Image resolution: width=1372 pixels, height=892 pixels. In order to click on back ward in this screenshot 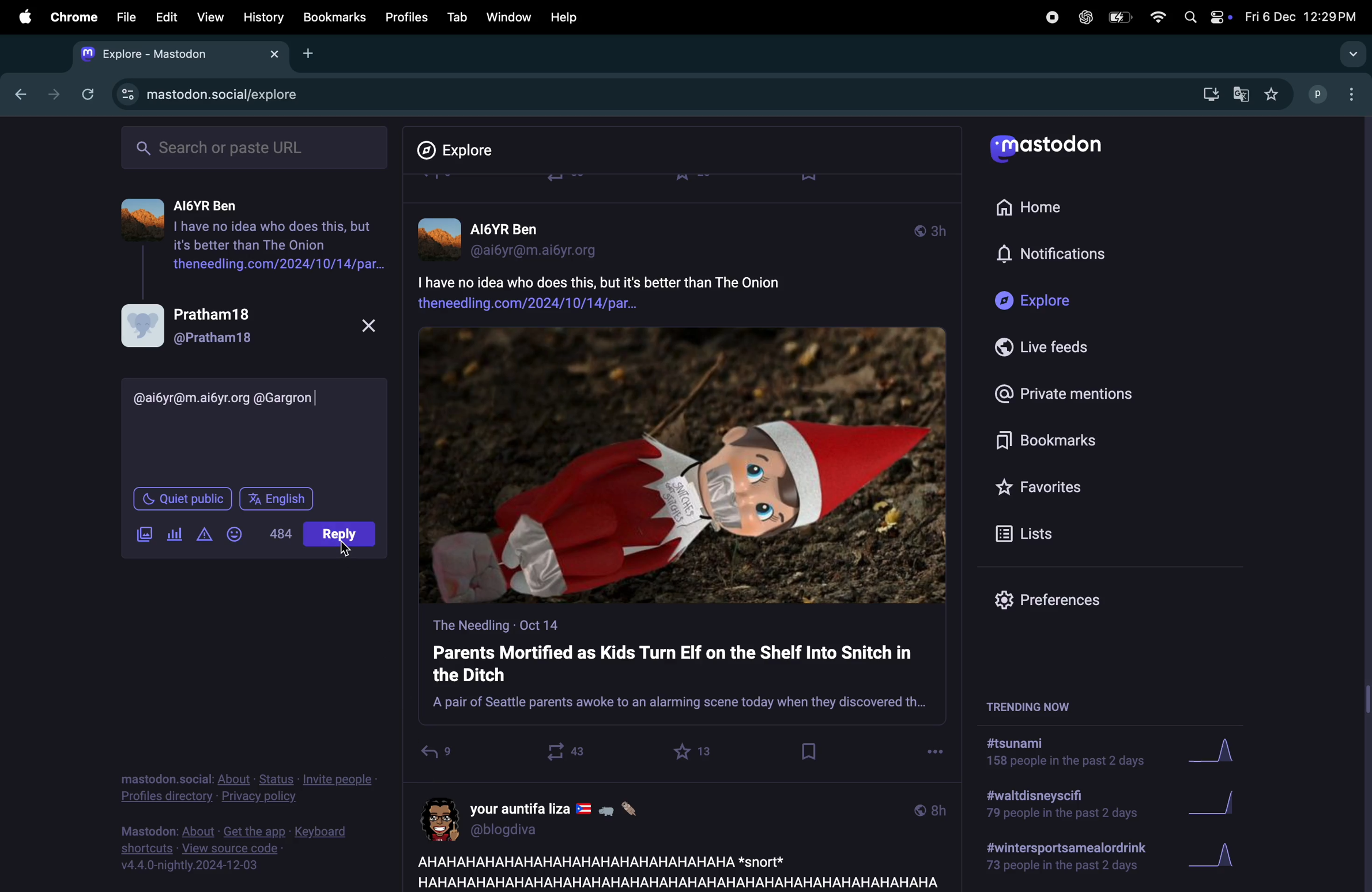, I will do `click(17, 92)`.